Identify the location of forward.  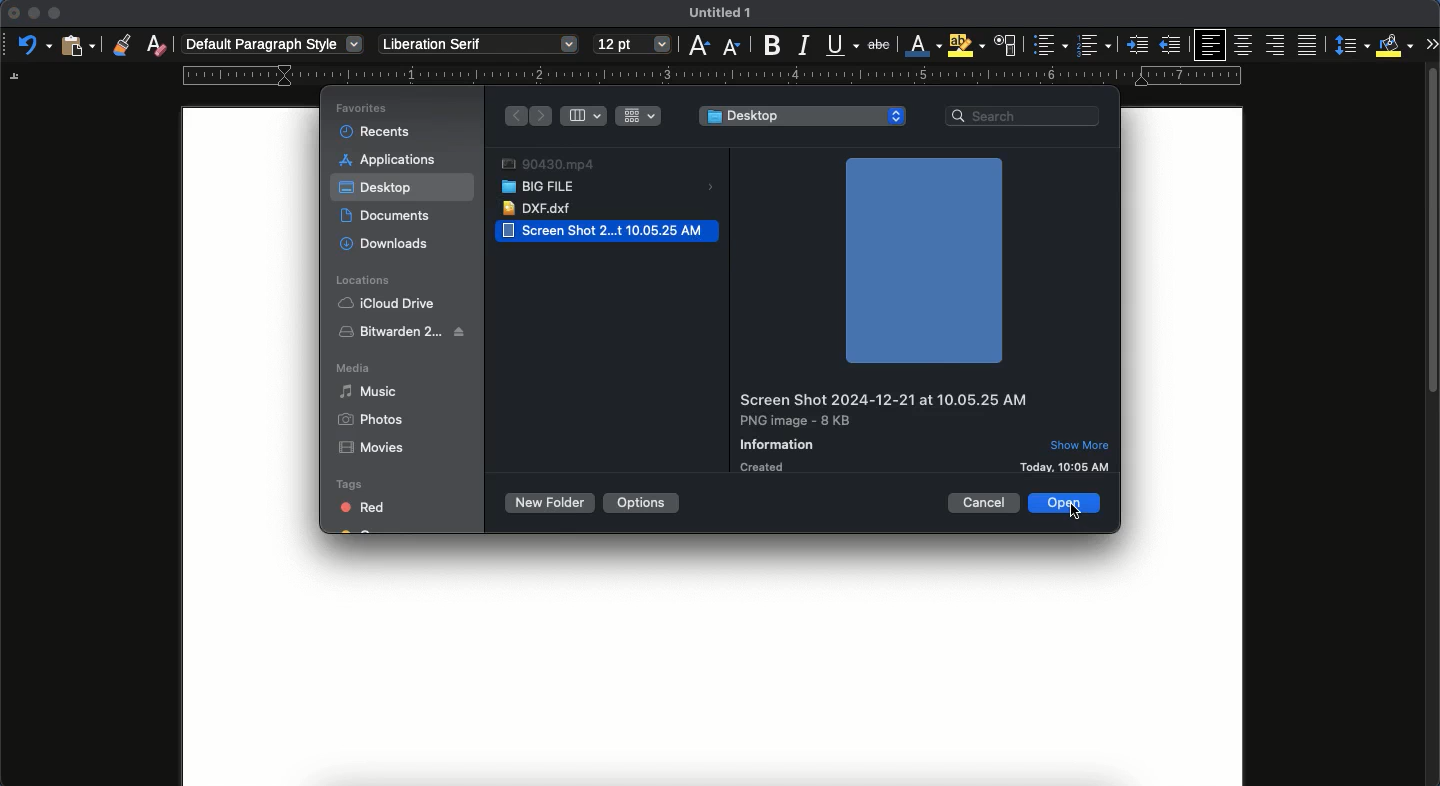
(544, 117).